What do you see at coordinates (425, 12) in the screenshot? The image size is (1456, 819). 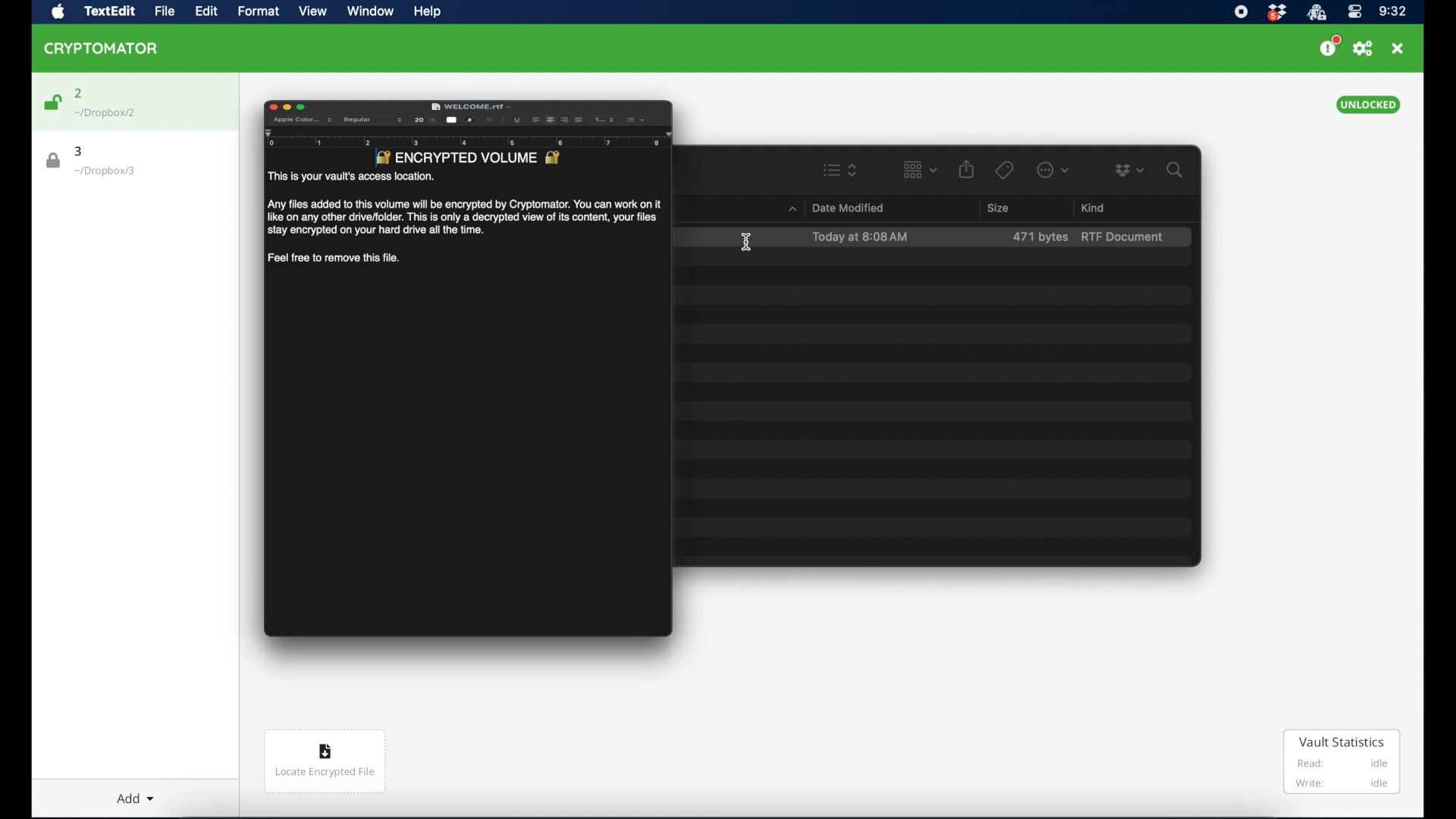 I see `Help` at bounding box center [425, 12].